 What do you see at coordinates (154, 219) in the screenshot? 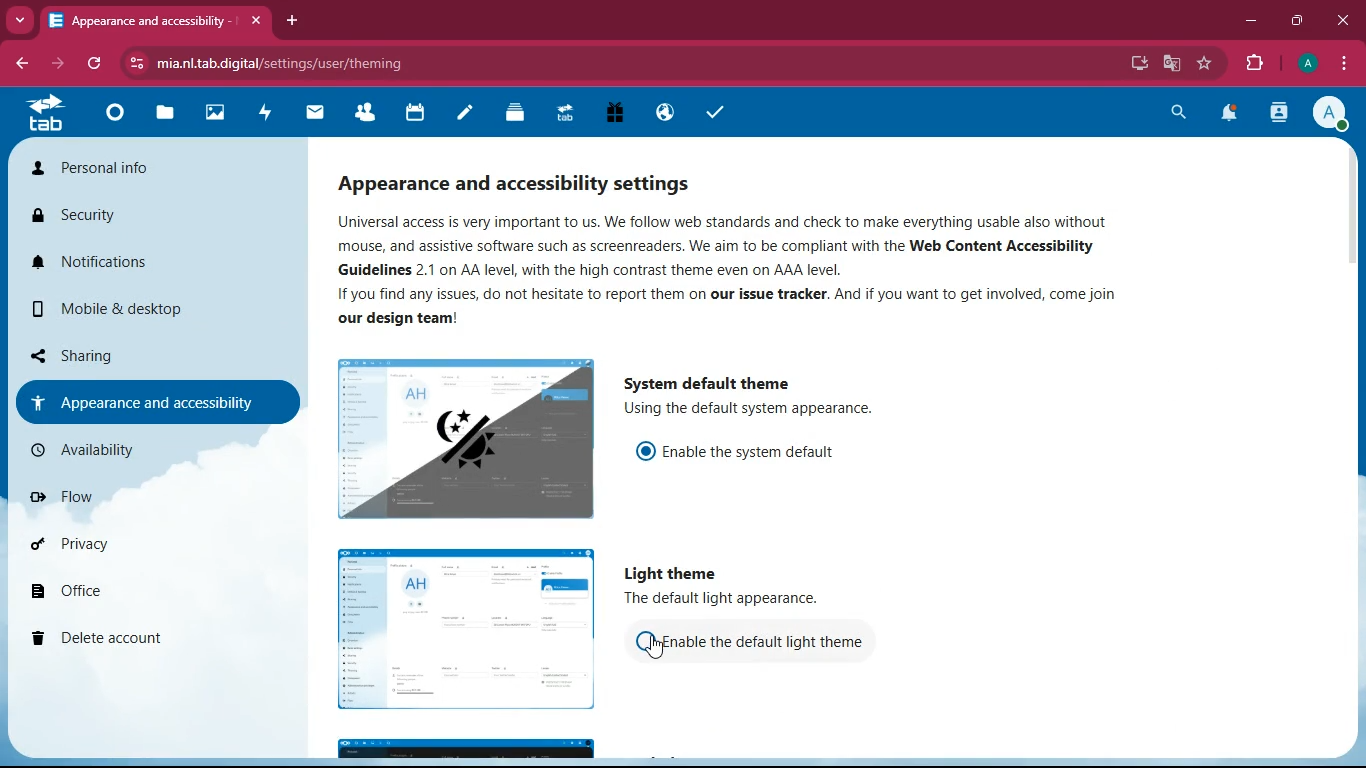
I see `security` at bounding box center [154, 219].